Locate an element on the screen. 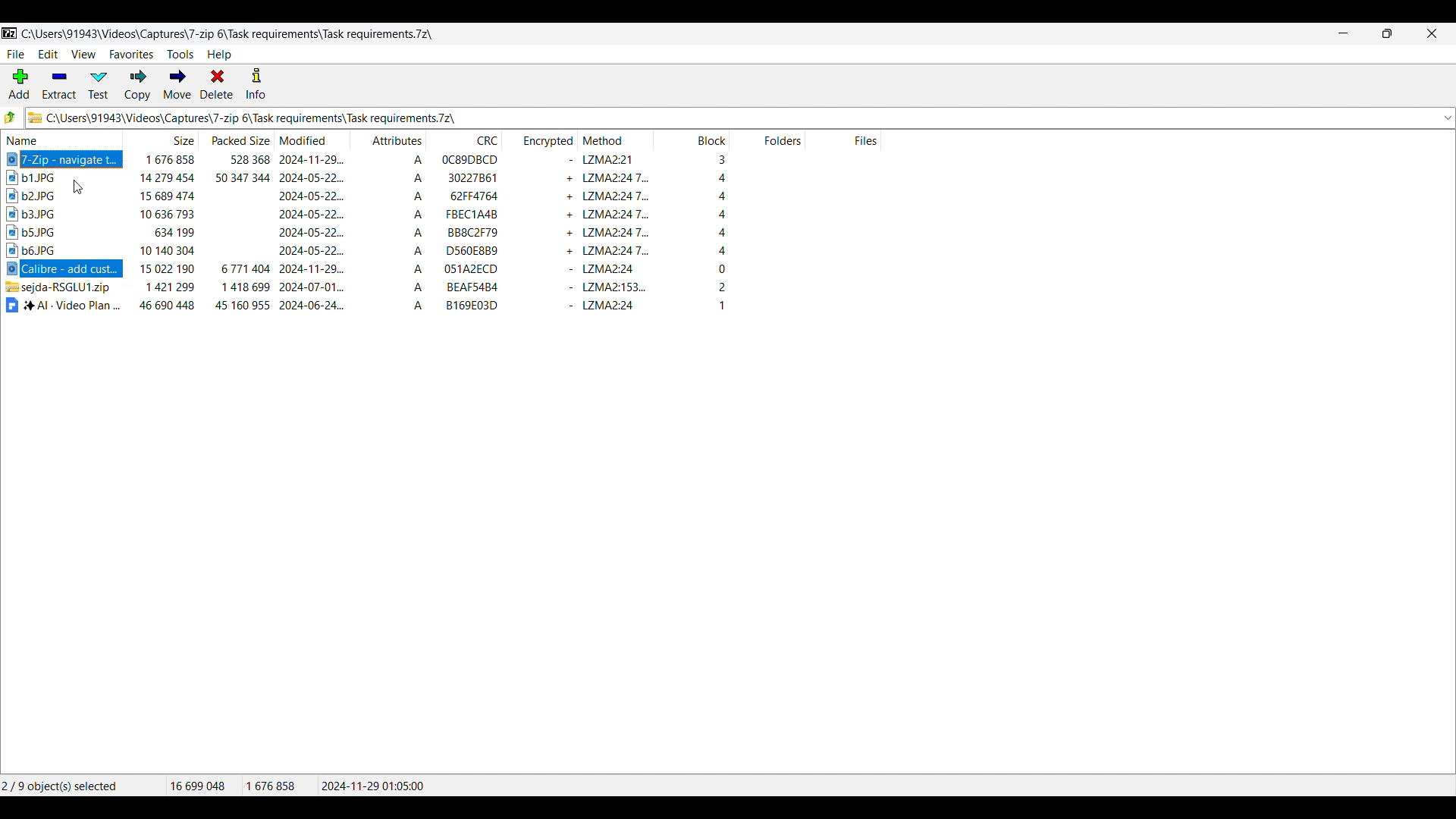  Test is located at coordinates (99, 86).